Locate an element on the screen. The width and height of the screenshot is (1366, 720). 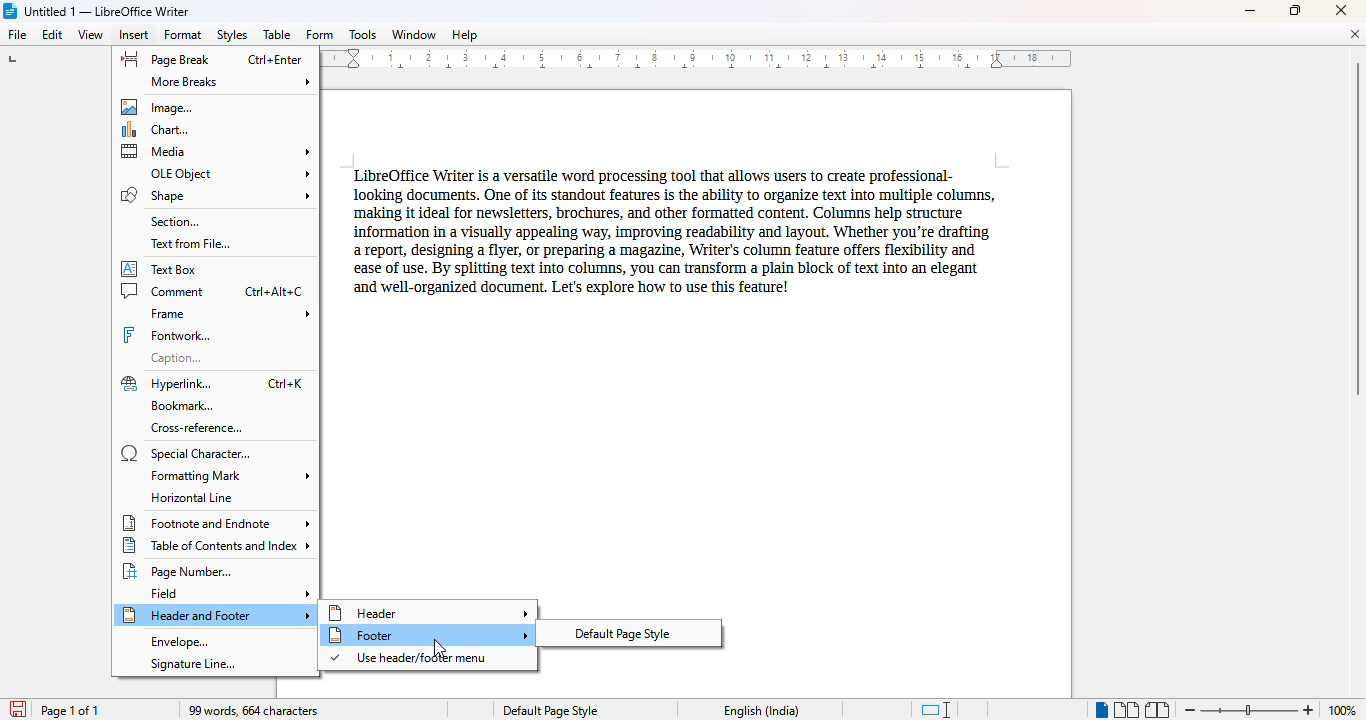
tools is located at coordinates (362, 35).